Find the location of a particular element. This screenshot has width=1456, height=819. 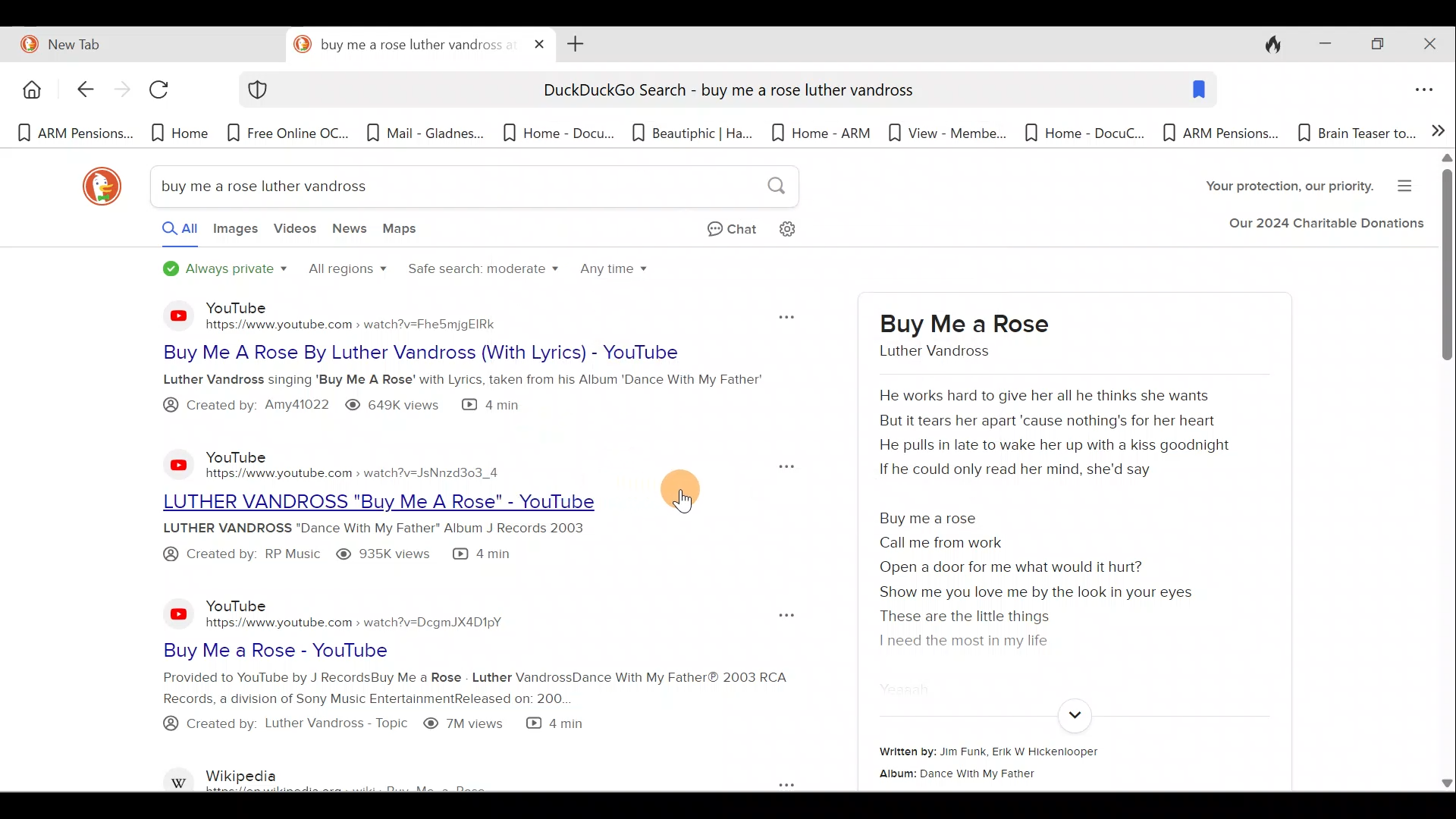

All is located at coordinates (165, 232).